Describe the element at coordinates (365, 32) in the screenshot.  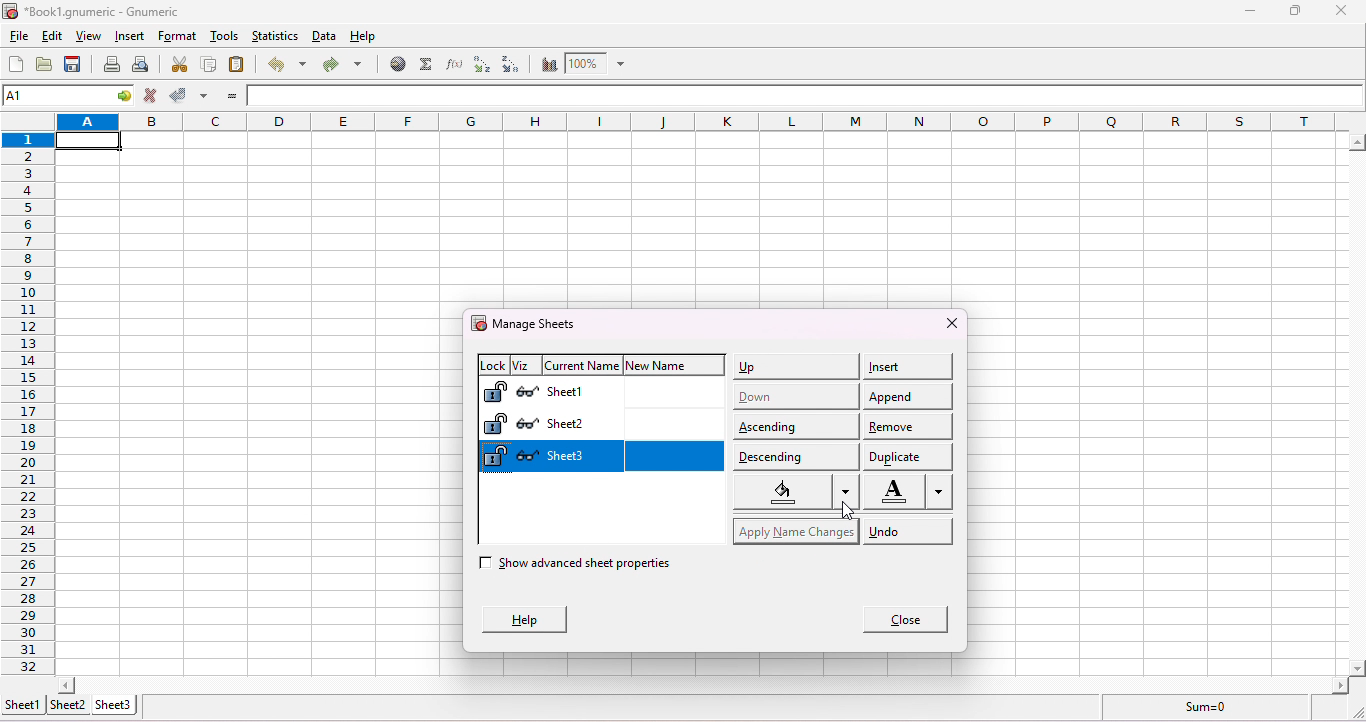
I see `help` at that location.